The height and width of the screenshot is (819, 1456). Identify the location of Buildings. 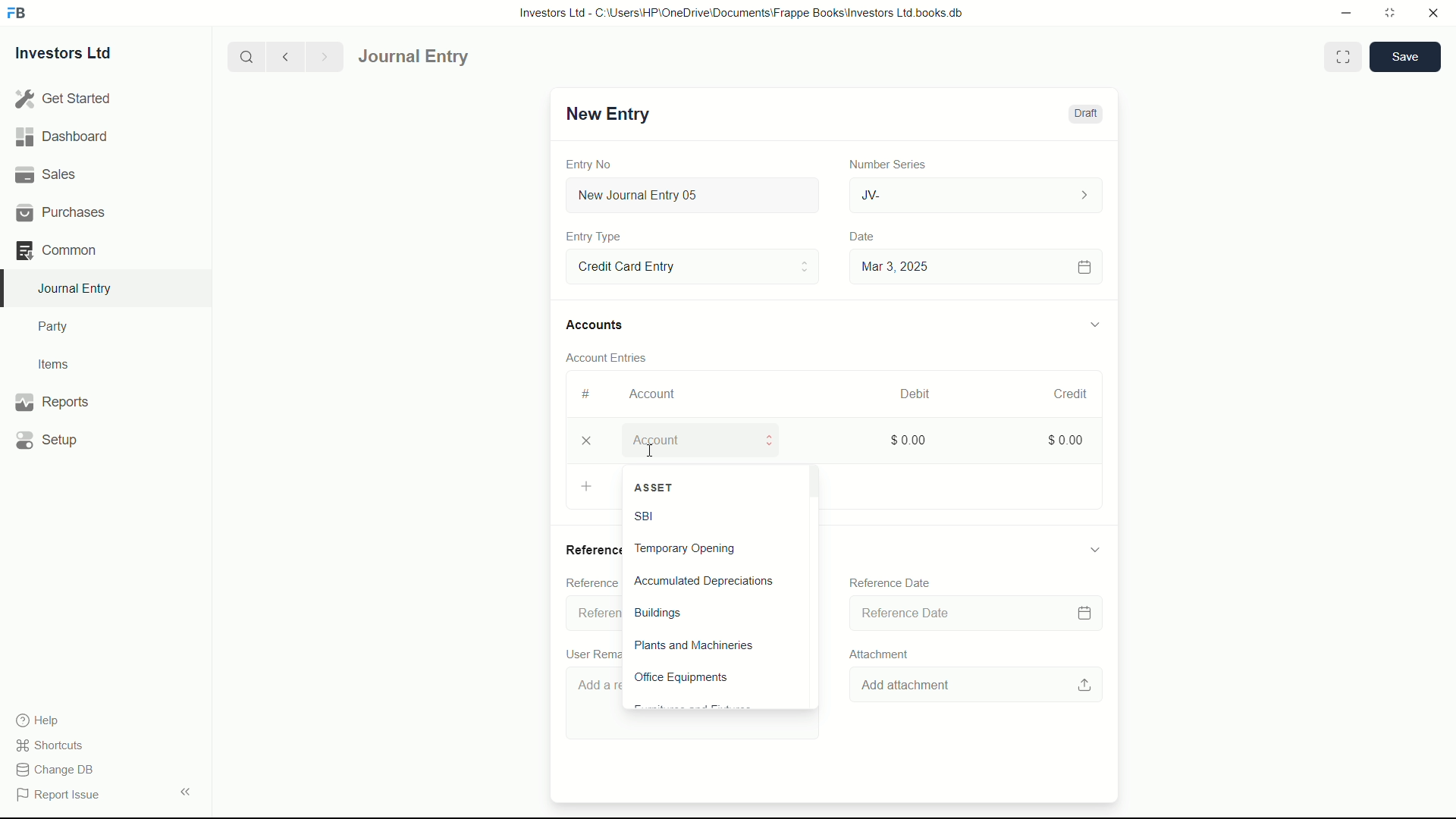
(714, 613).